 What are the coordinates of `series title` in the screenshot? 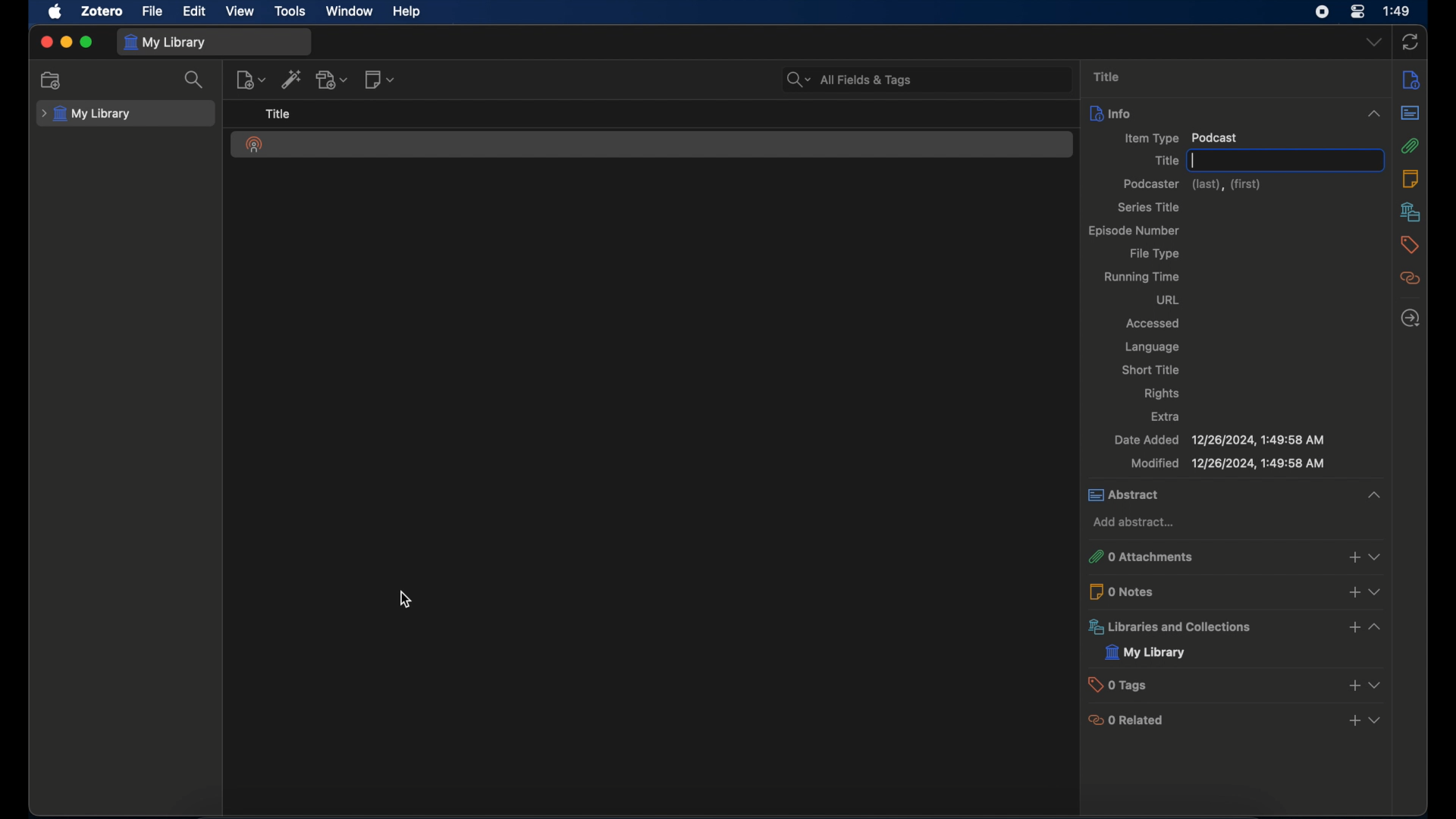 It's located at (1148, 207).